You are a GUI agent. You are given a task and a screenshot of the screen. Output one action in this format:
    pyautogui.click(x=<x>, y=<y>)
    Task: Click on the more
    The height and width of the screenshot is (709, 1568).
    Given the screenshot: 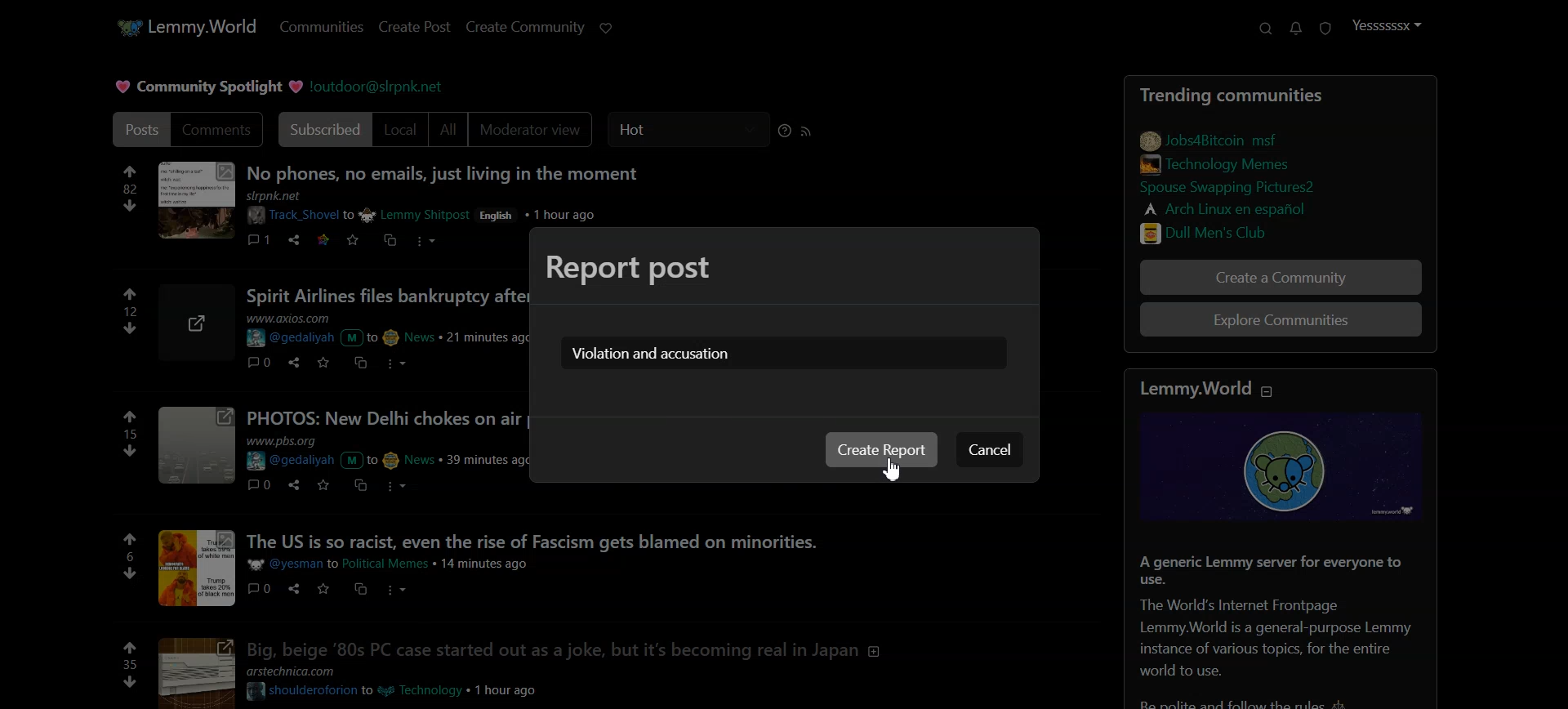 What is the action you would take?
    pyautogui.click(x=393, y=362)
    